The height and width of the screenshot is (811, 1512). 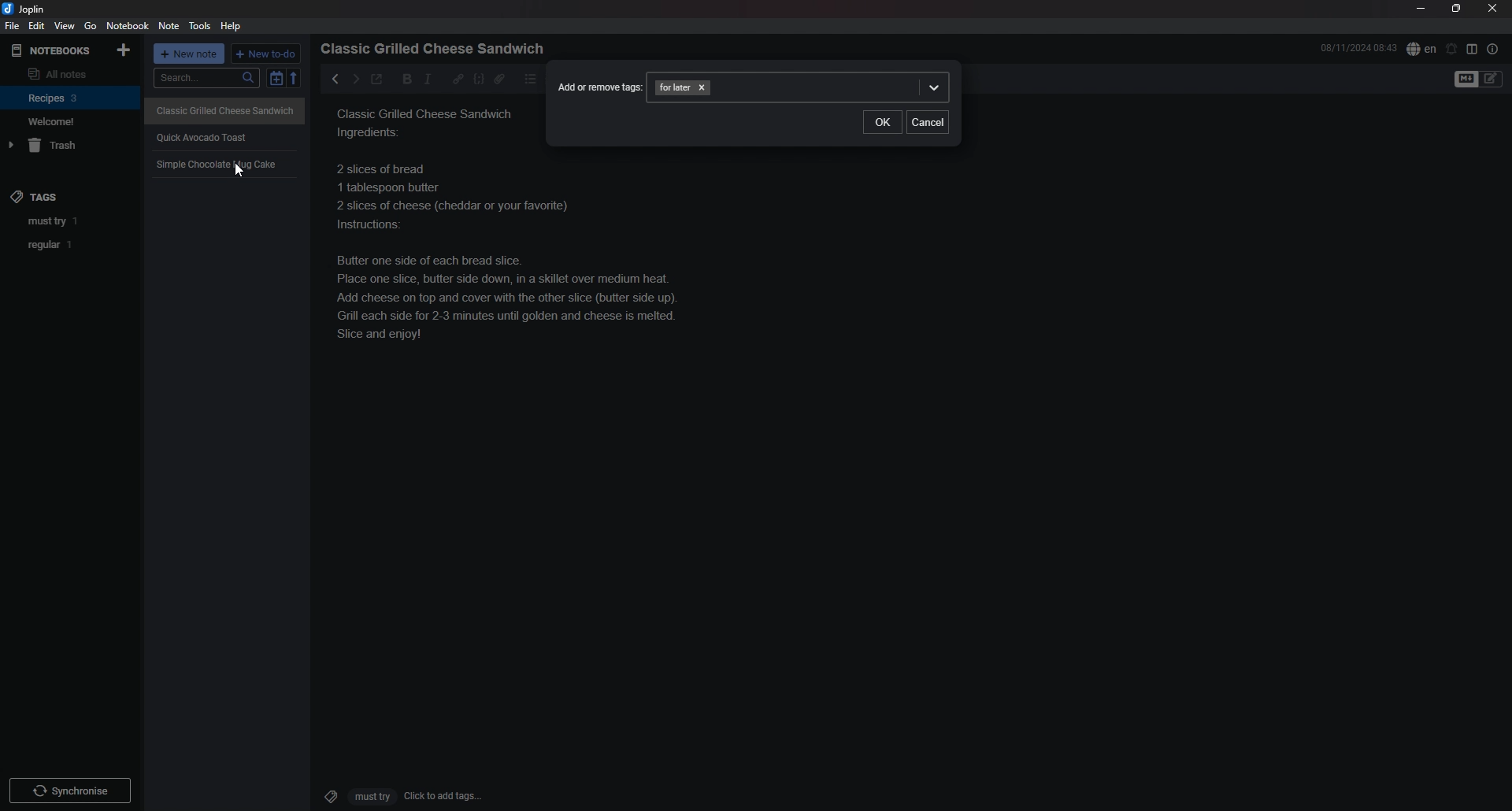 What do you see at coordinates (1358, 47) in the screenshot?
I see `time` at bounding box center [1358, 47].